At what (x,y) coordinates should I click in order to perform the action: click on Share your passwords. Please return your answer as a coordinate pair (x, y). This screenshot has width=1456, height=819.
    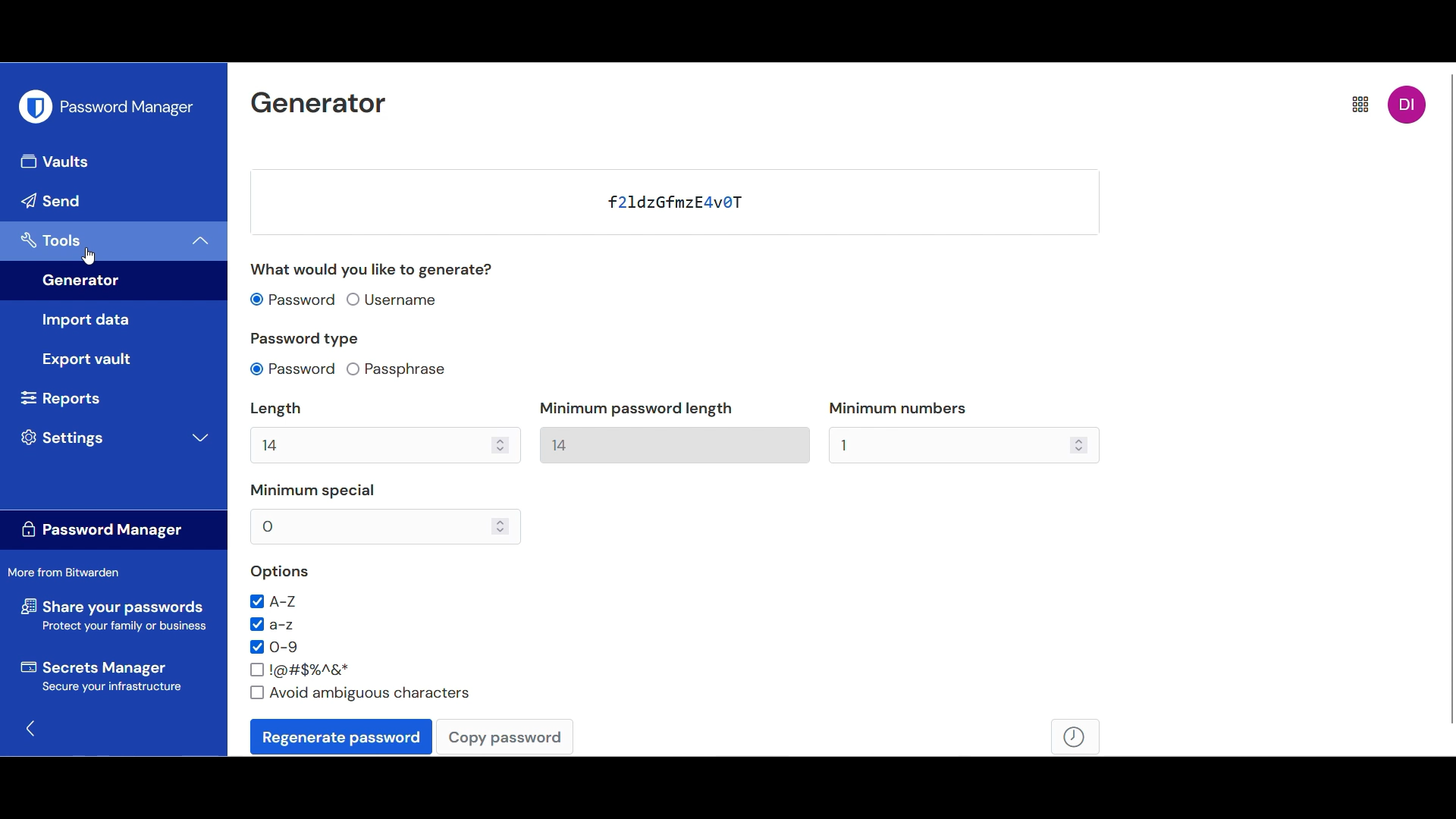
    Looking at the image, I should click on (114, 615).